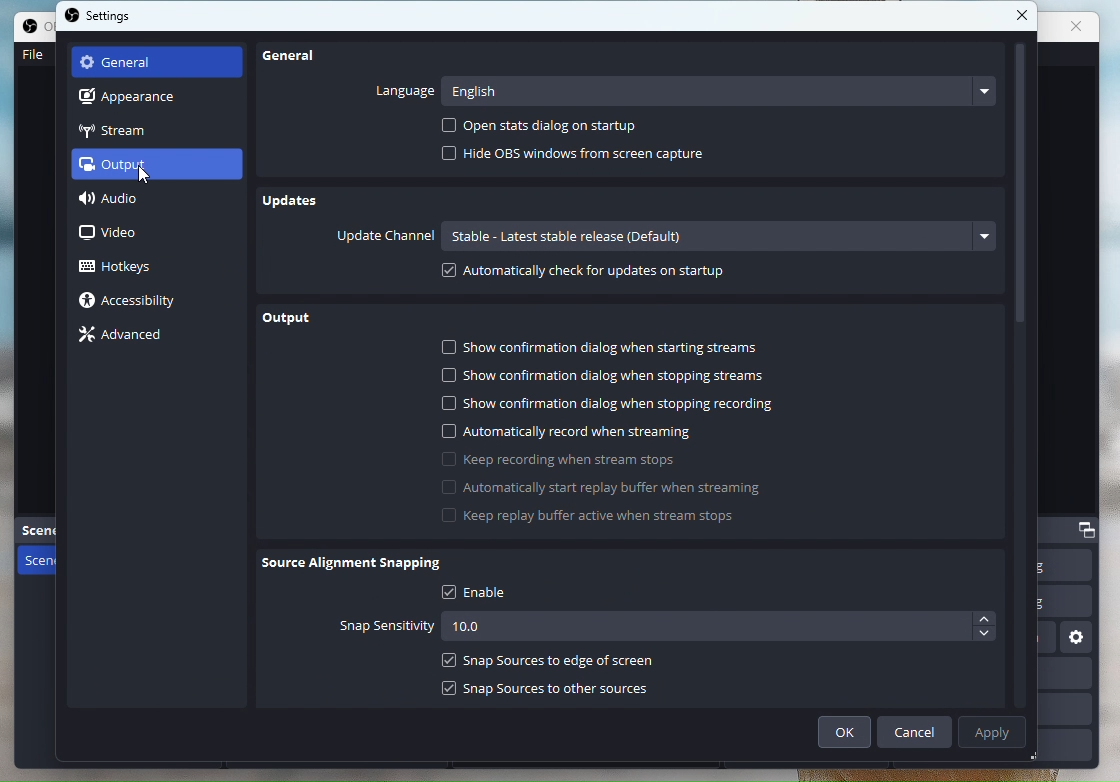 Image resolution: width=1120 pixels, height=782 pixels. What do you see at coordinates (591, 274) in the screenshot?
I see `Automatically check for updates on startup` at bounding box center [591, 274].